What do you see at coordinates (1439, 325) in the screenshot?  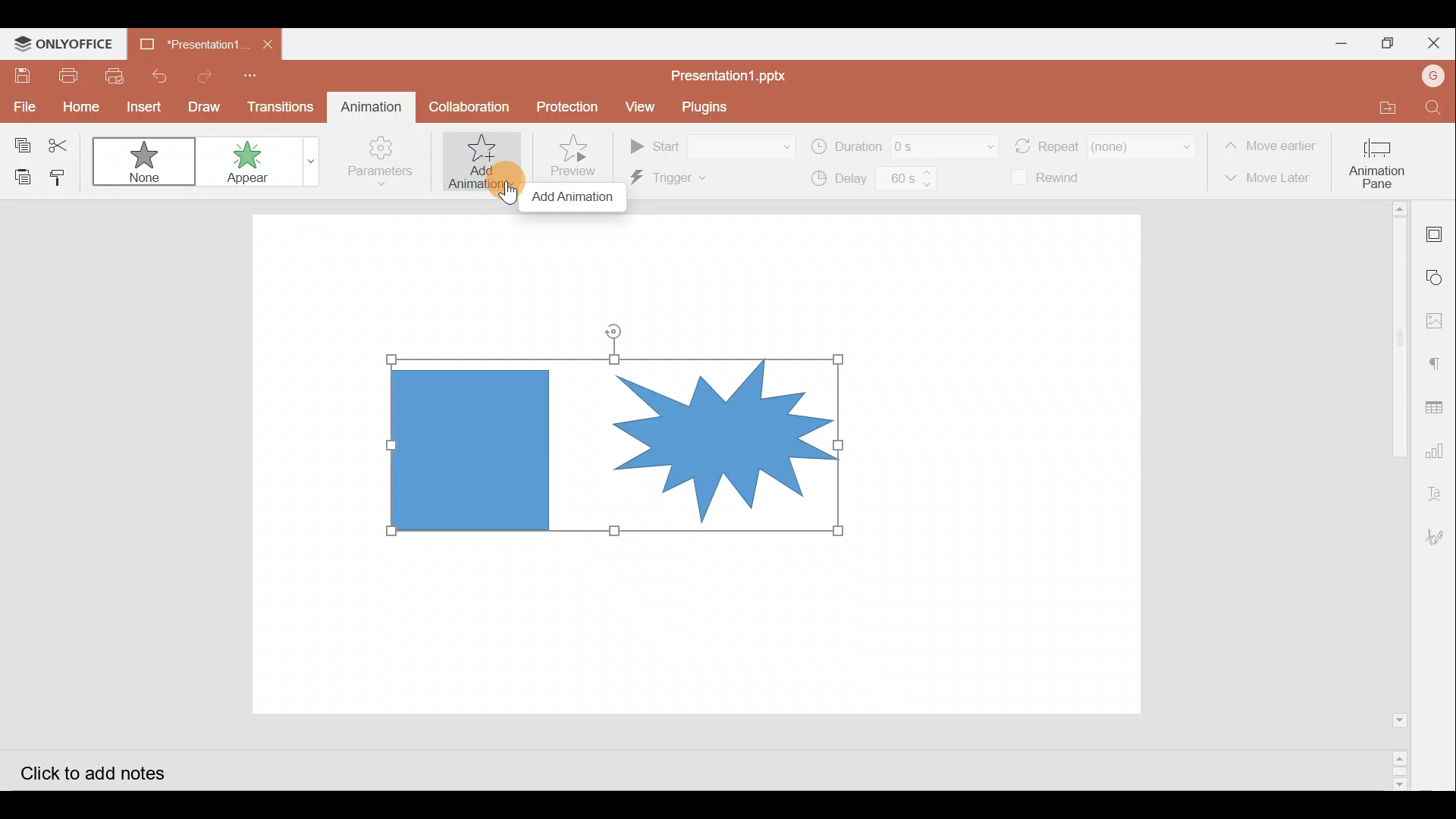 I see `Image settings` at bounding box center [1439, 325].